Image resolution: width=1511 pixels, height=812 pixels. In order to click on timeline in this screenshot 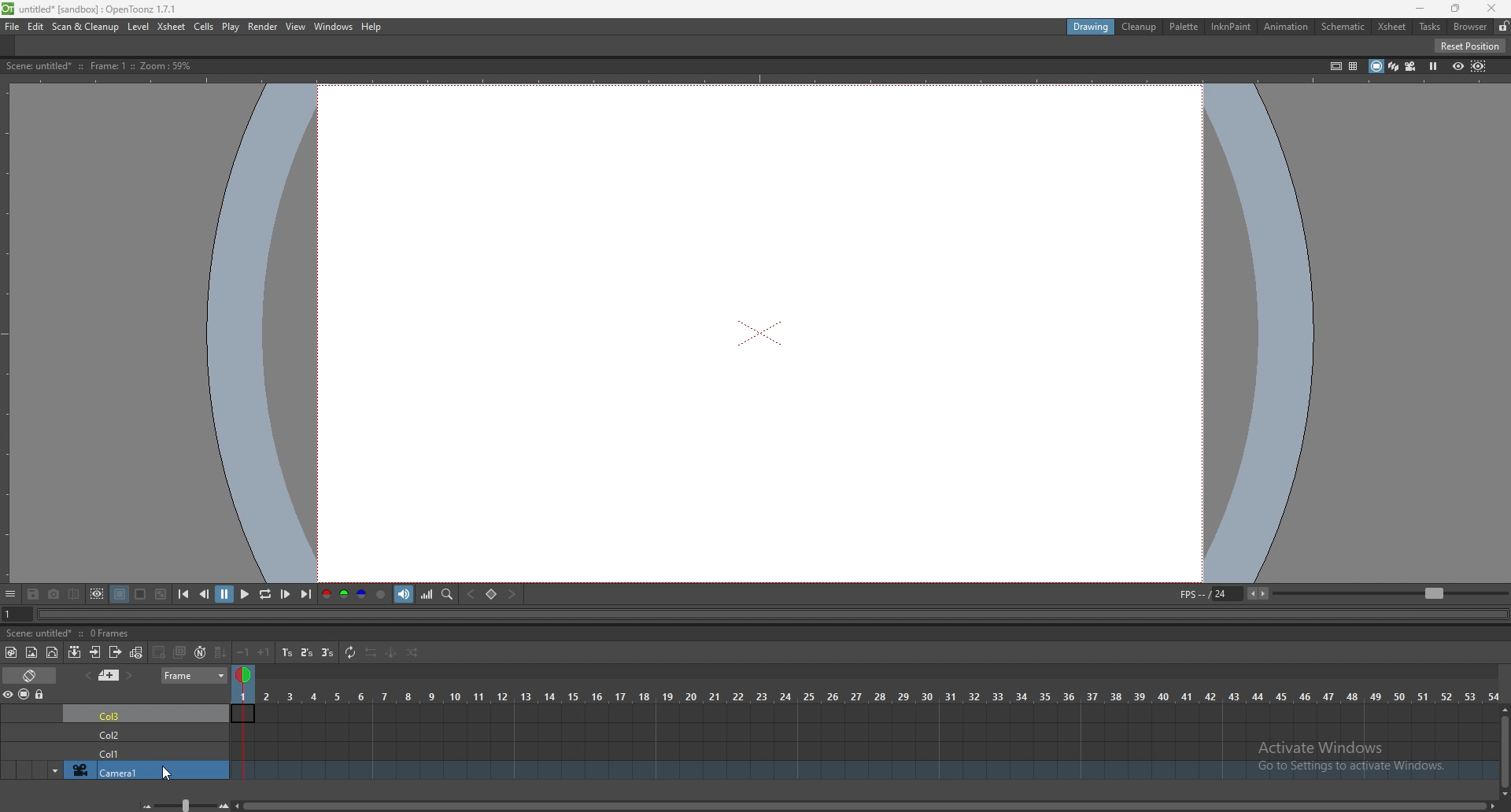, I will do `click(865, 751)`.